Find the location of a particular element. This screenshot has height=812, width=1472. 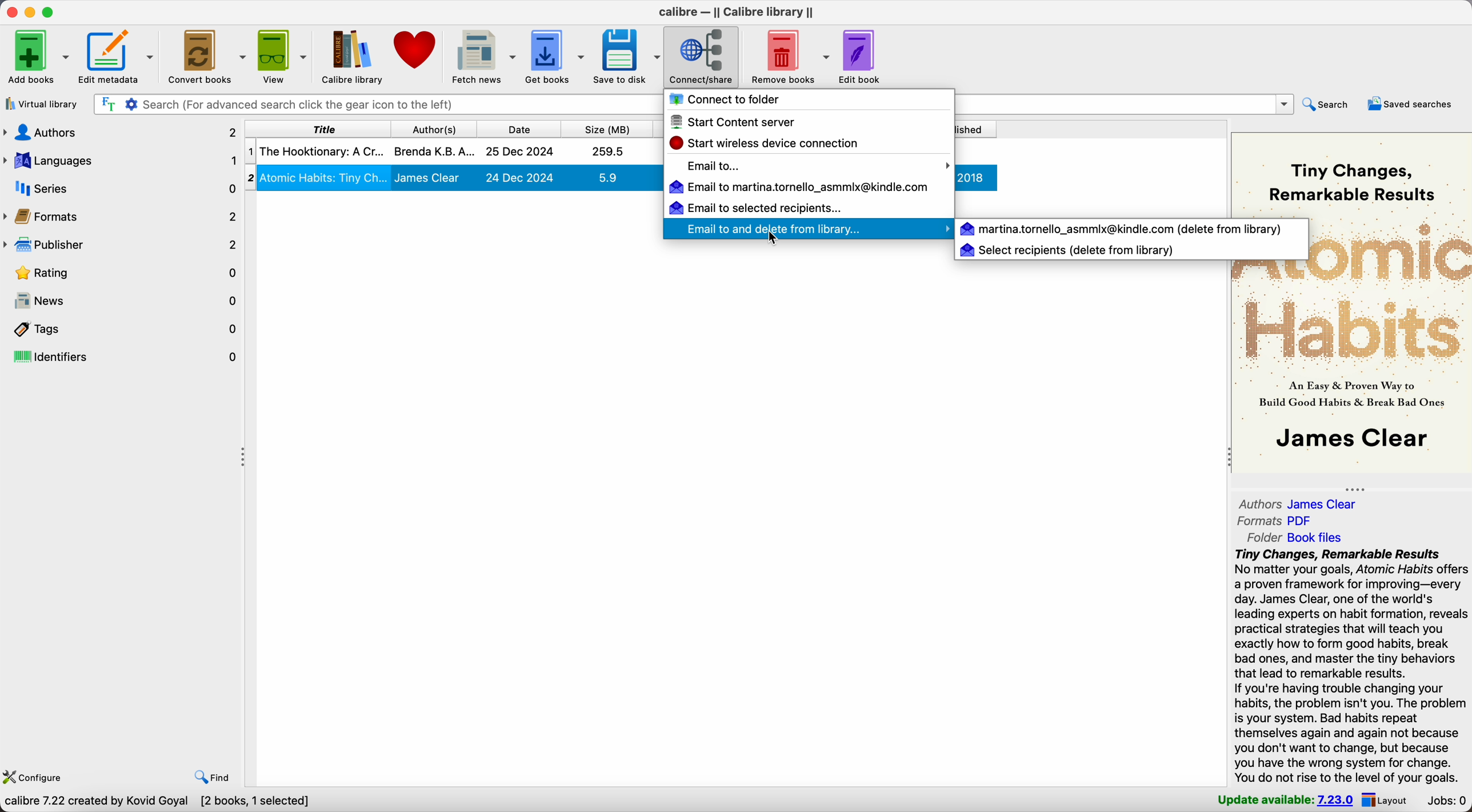

search bar is located at coordinates (374, 105).